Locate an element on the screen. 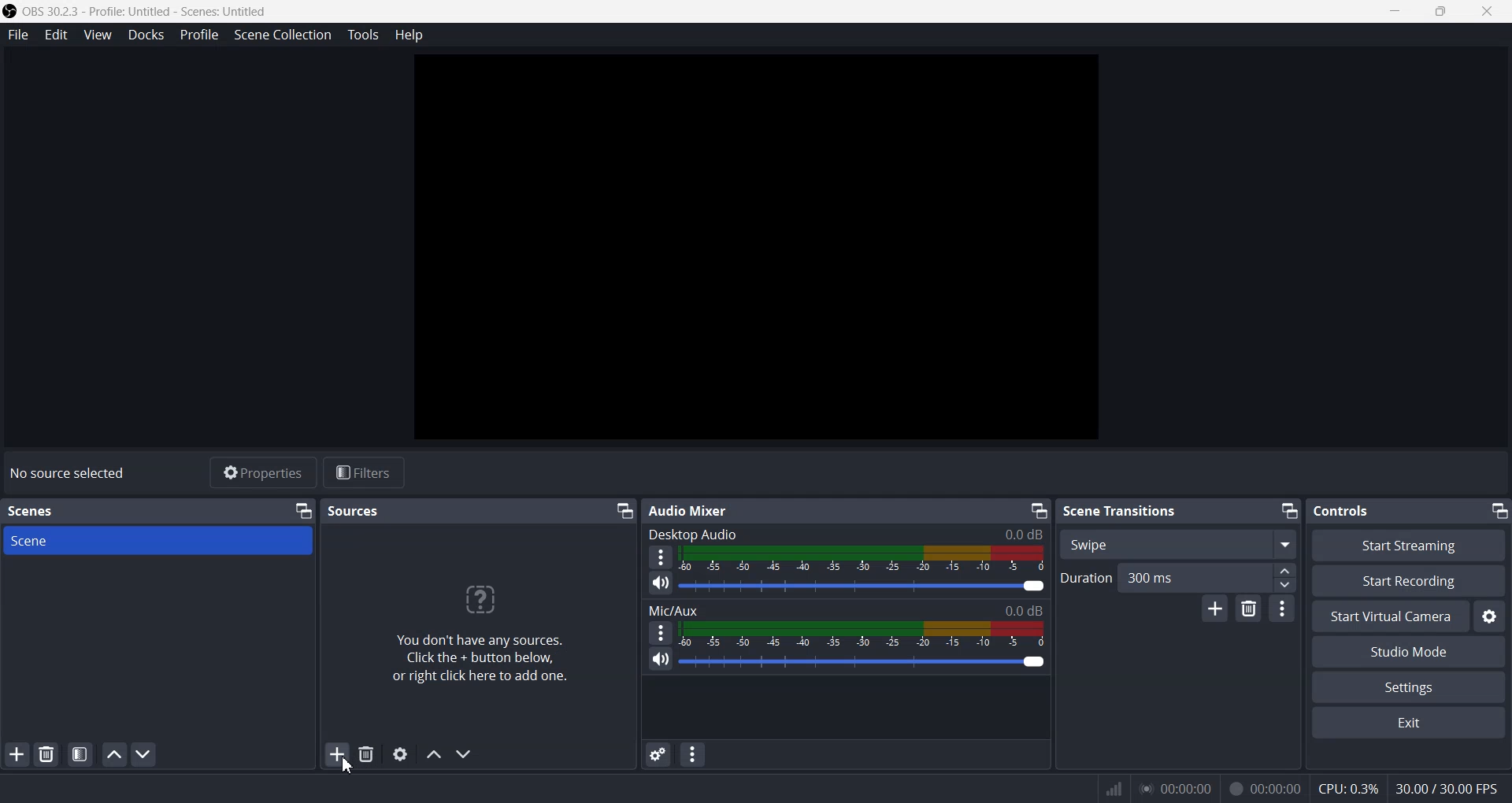 The height and width of the screenshot is (803, 1512). Volume Indicator is located at coordinates (864, 558).